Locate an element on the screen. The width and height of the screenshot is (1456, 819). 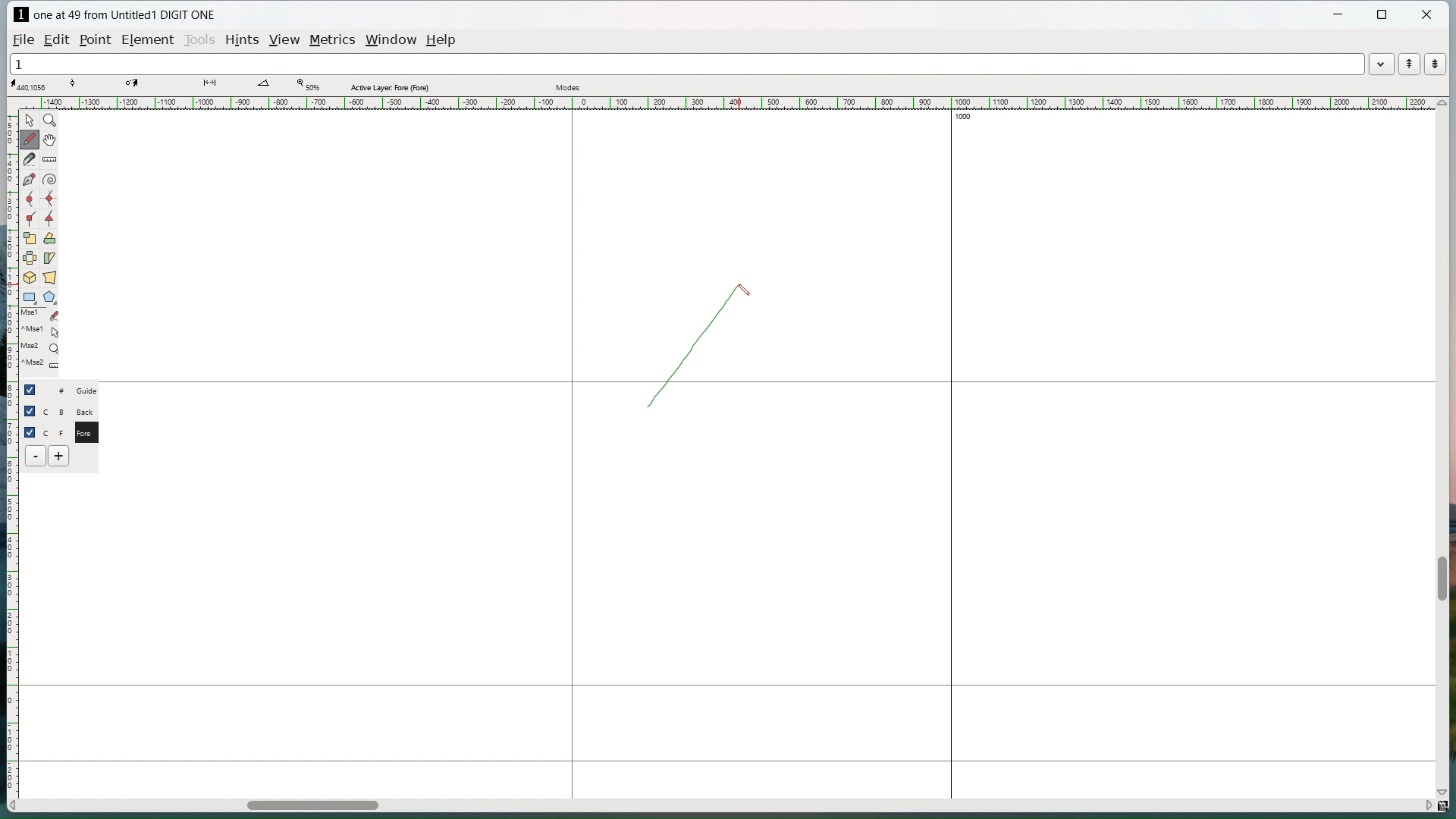
vertical scrollbar is located at coordinates (1441, 579).